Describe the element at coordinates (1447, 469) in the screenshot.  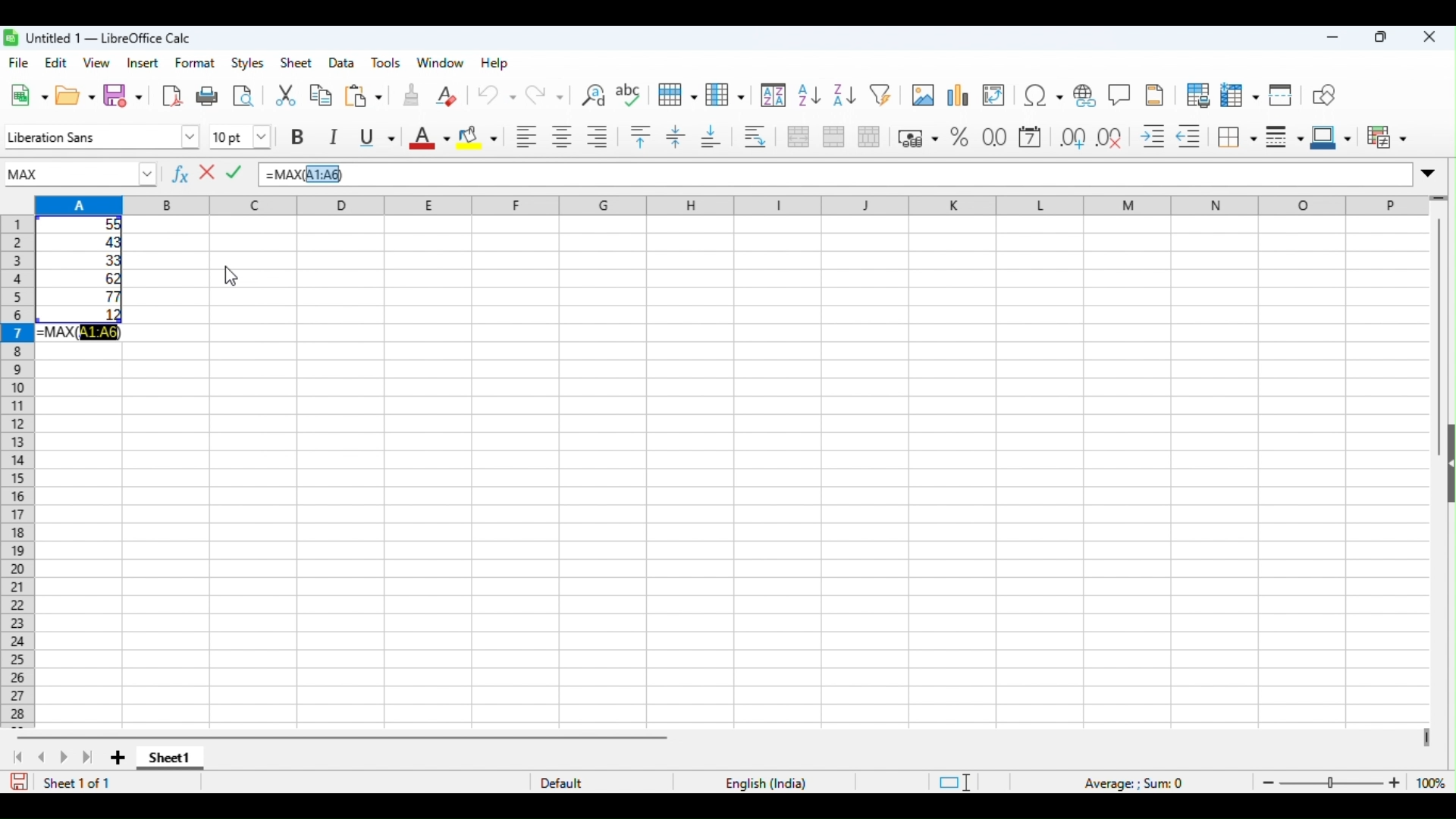
I see `show or hide sidebar` at that location.